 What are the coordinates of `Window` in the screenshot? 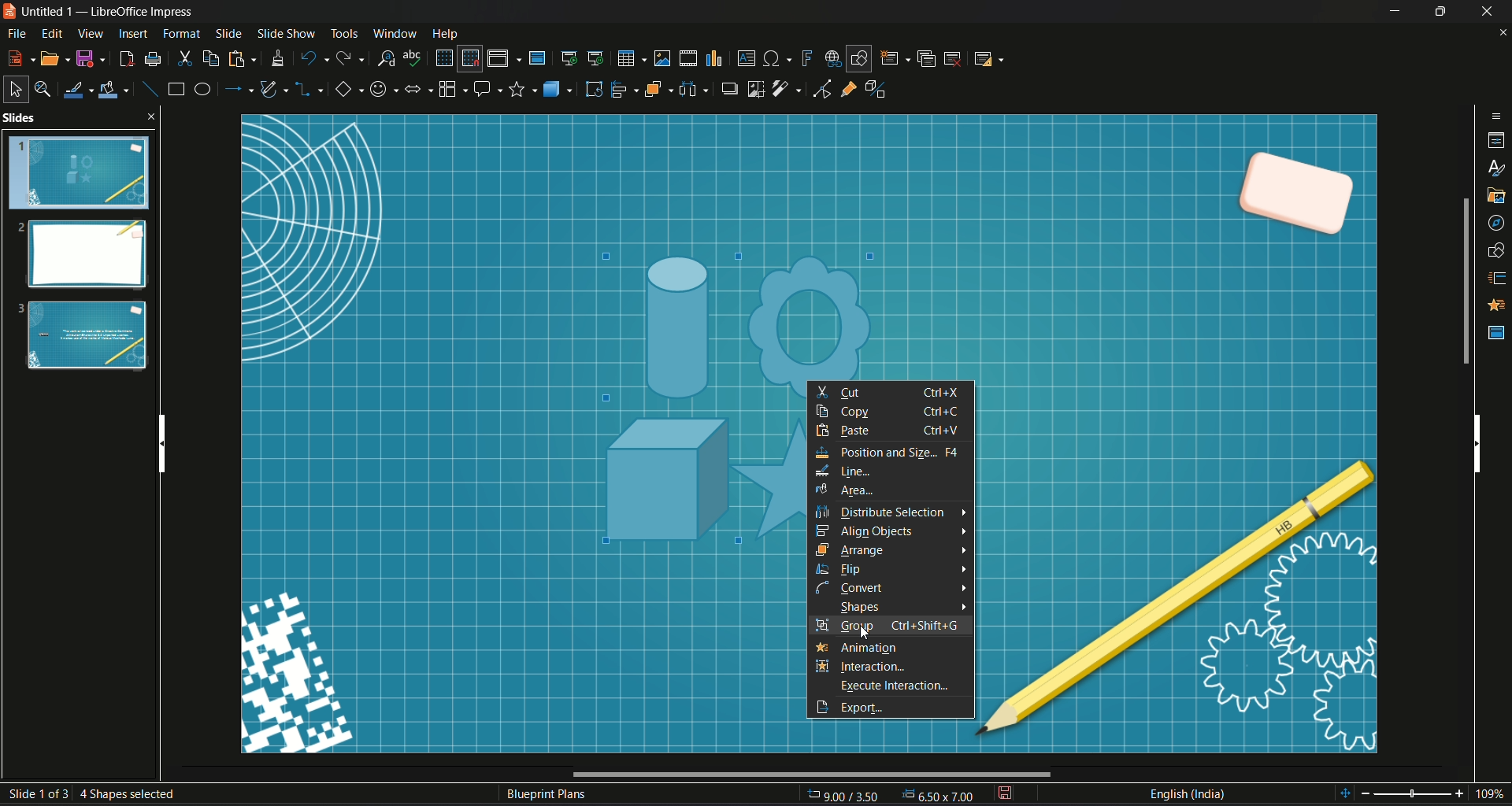 It's located at (391, 32).